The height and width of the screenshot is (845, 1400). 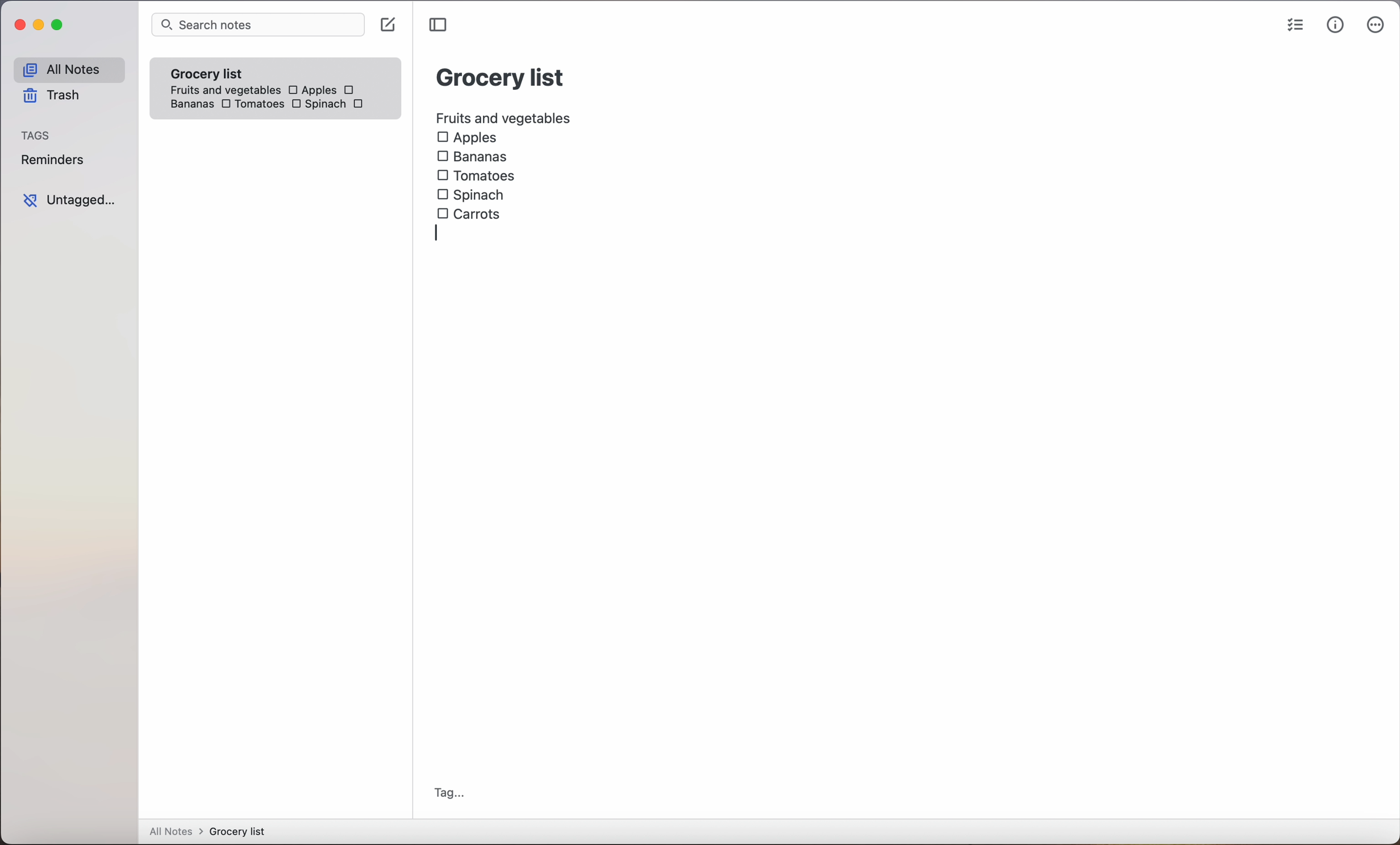 I want to click on Apples checkbox, so click(x=467, y=138).